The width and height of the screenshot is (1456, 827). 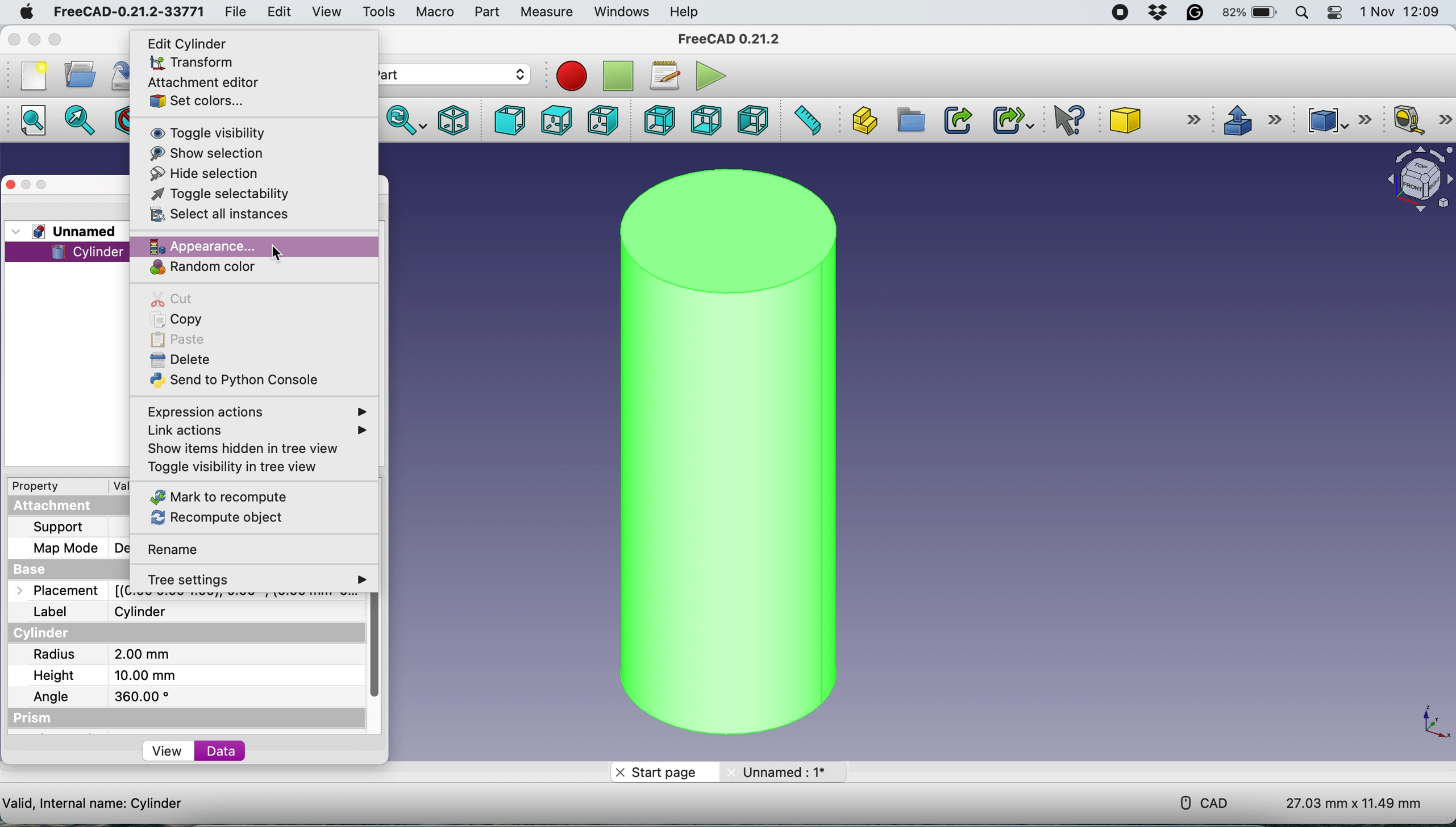 What do you see at coordinates (1009, 119) in the screenshot?
I see `make sub link` at bounding box center [1009, 119].